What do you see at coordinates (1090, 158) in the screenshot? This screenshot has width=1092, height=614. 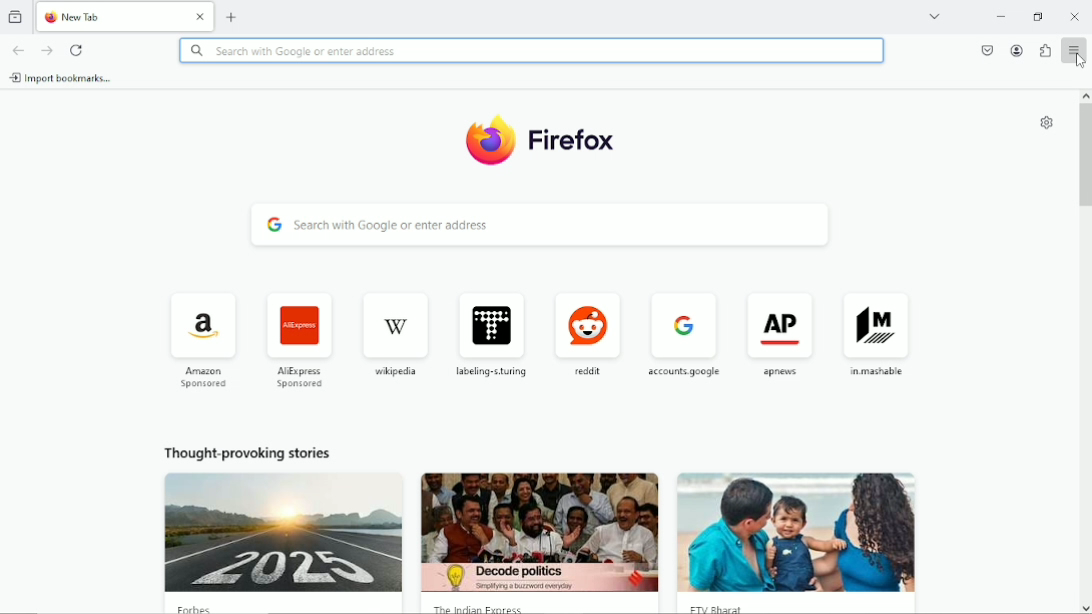 I see `vertical scrollbar` at bounding box center [1090, 158].